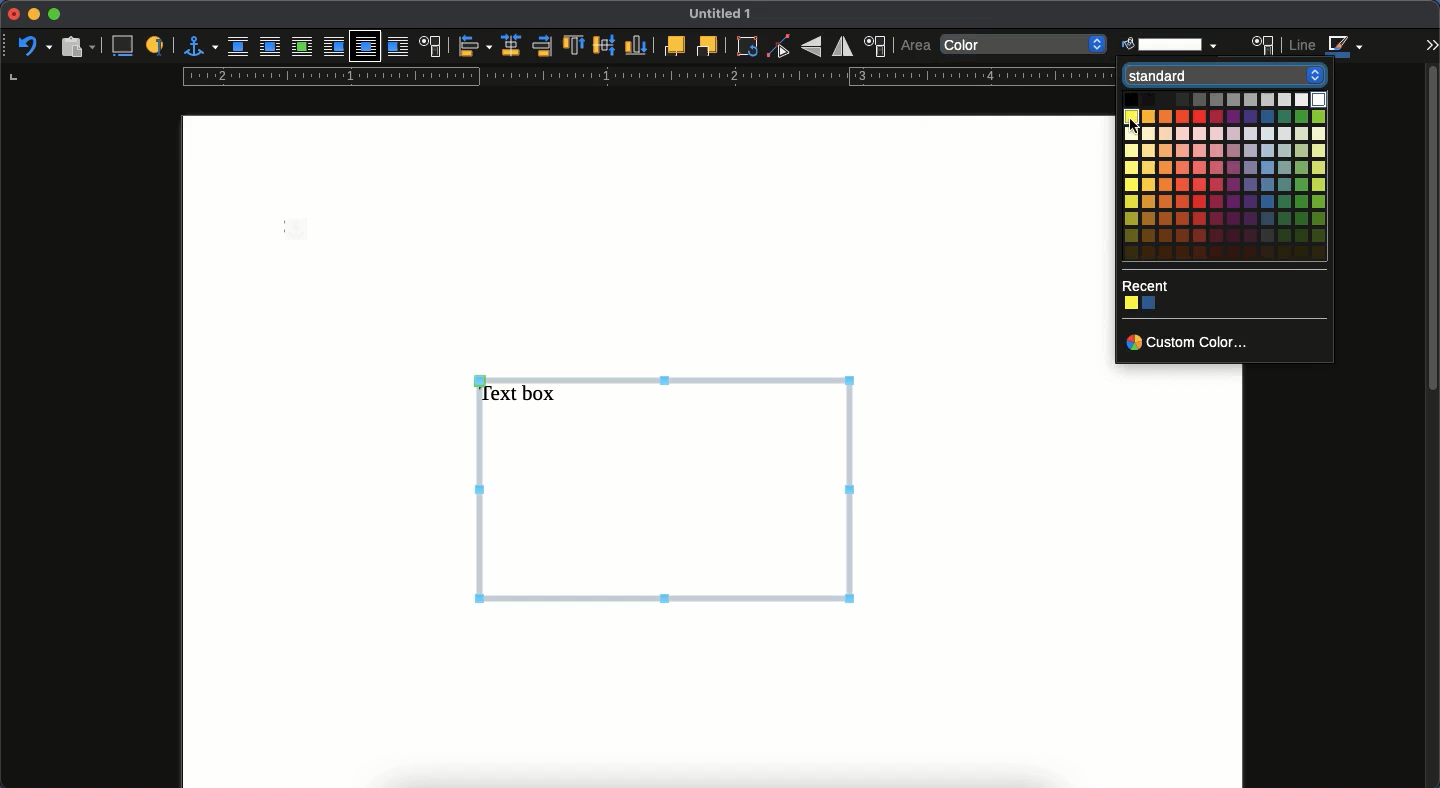  What do you see at coordinates (637, 46) in the screenshot?
I see `bottom` at bounding box center [637, 46].